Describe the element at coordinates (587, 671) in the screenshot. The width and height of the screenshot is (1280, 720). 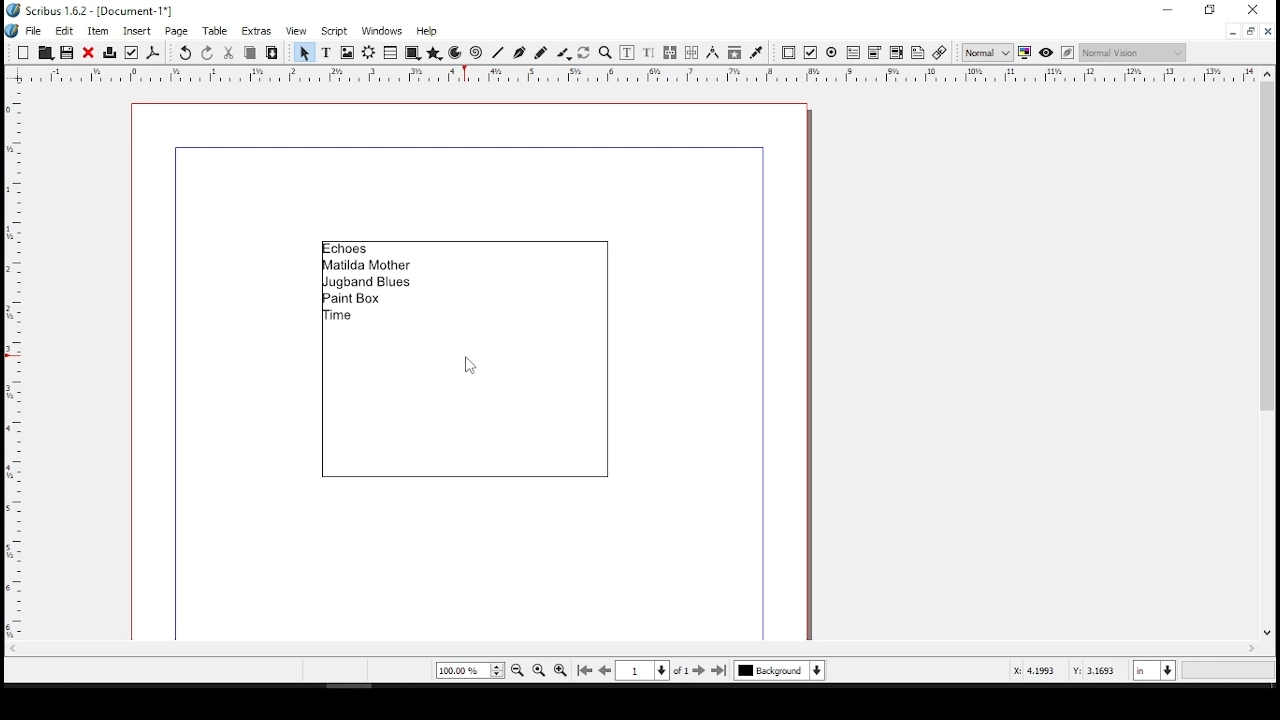
I see `first page` at that location.